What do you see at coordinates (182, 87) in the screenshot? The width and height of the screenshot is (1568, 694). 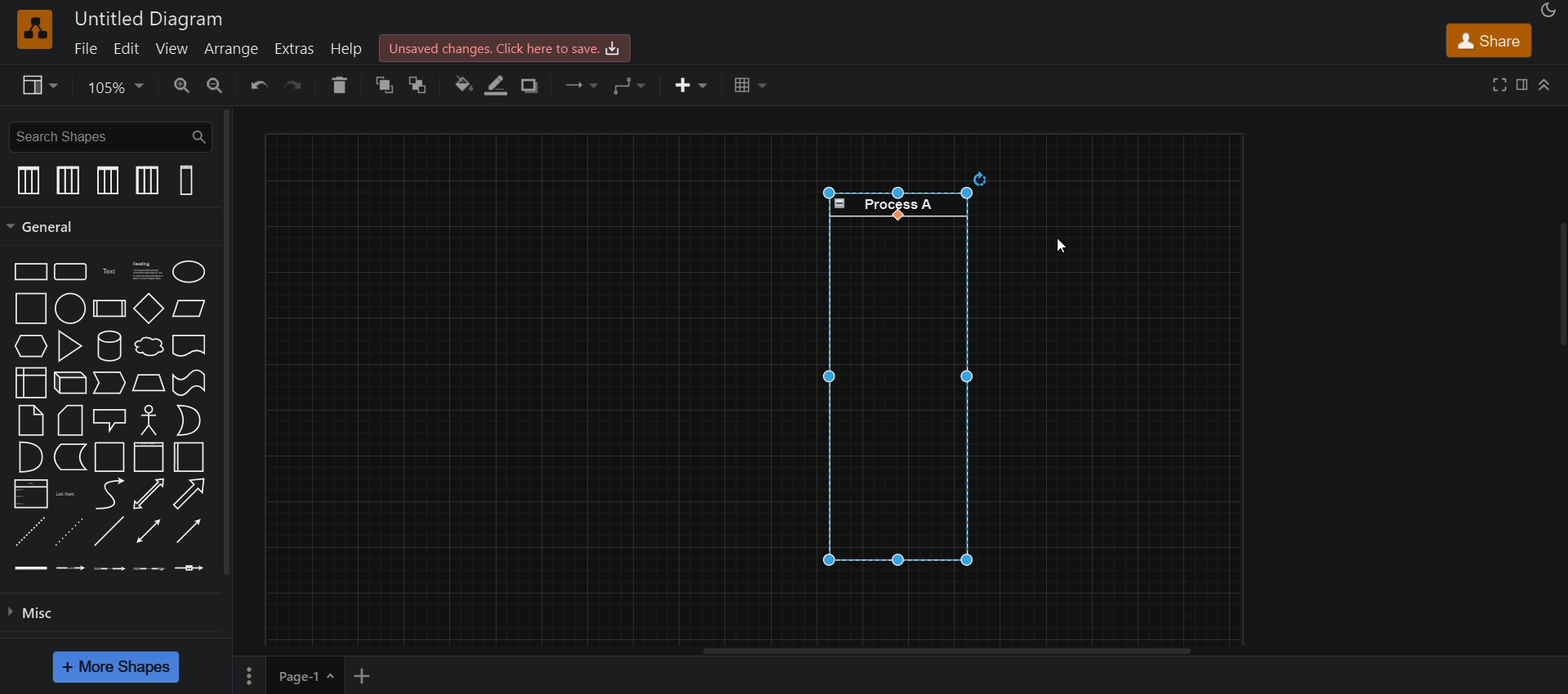 I see `zoom in` at bounding box center [182, 87].